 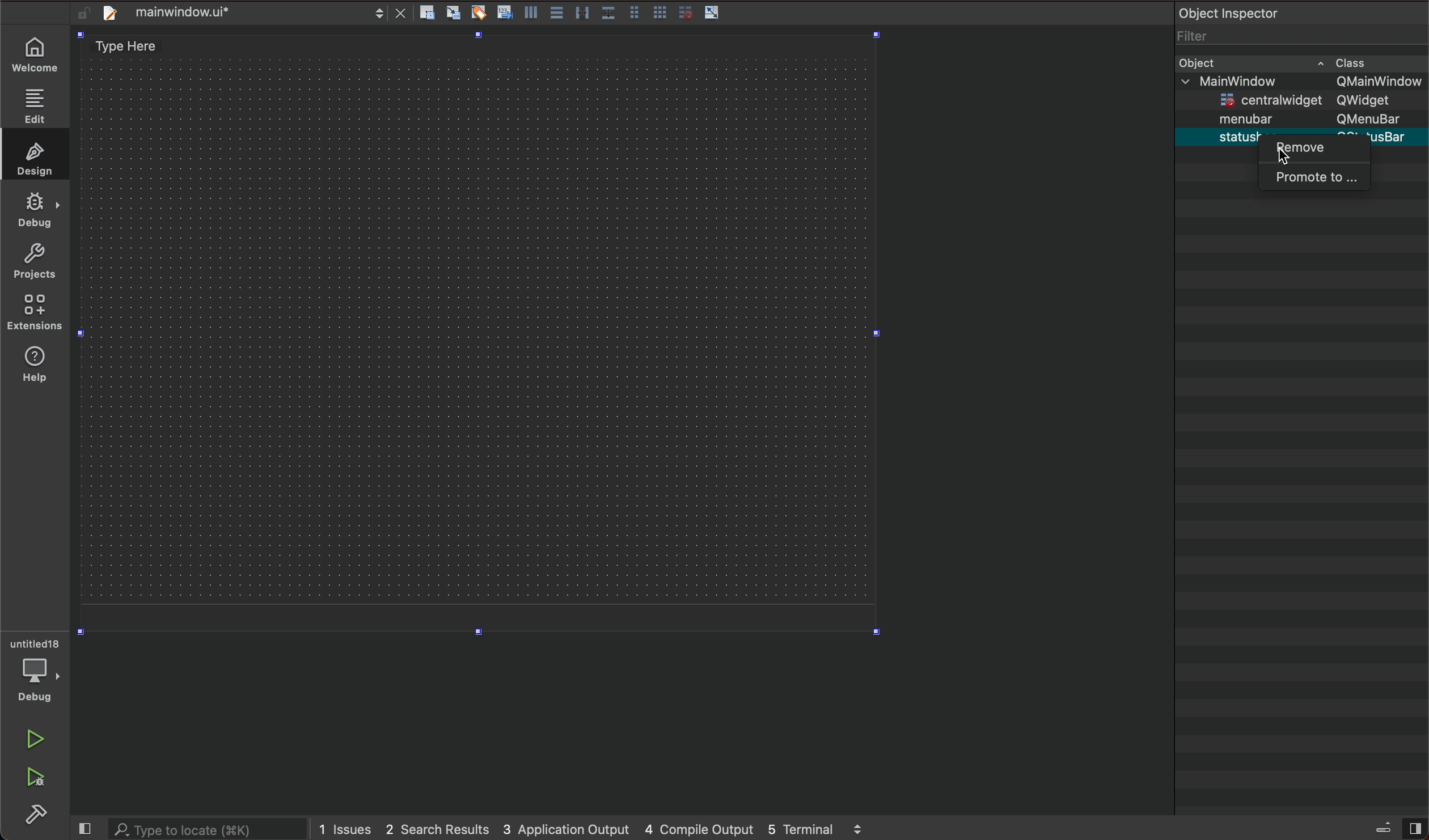 What do you see at coordinates (141, 50) in the screenshot?
I see `type here` at bounding box center [141, 50].